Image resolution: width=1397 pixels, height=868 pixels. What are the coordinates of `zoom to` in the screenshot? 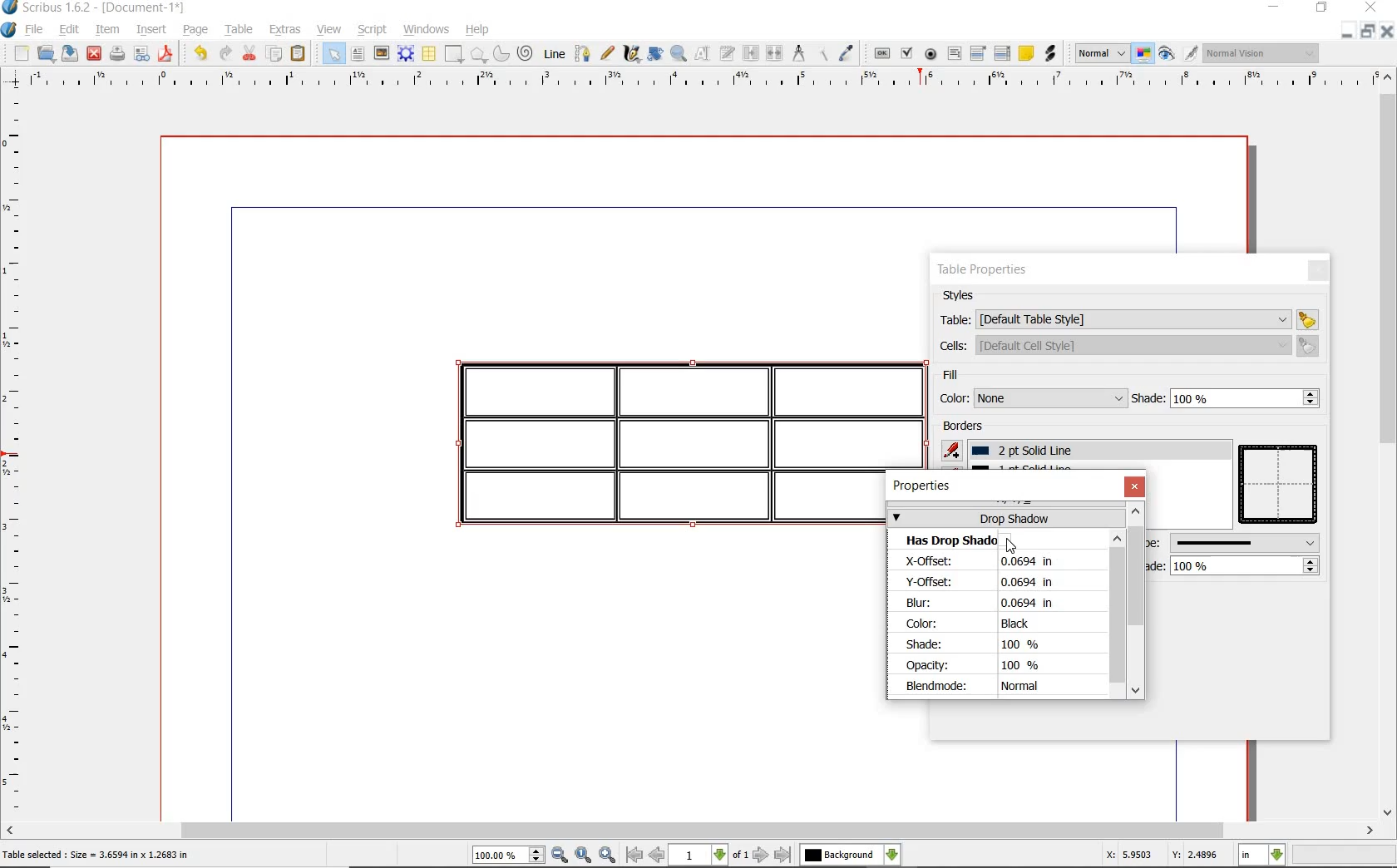 It's located at (583, 855).